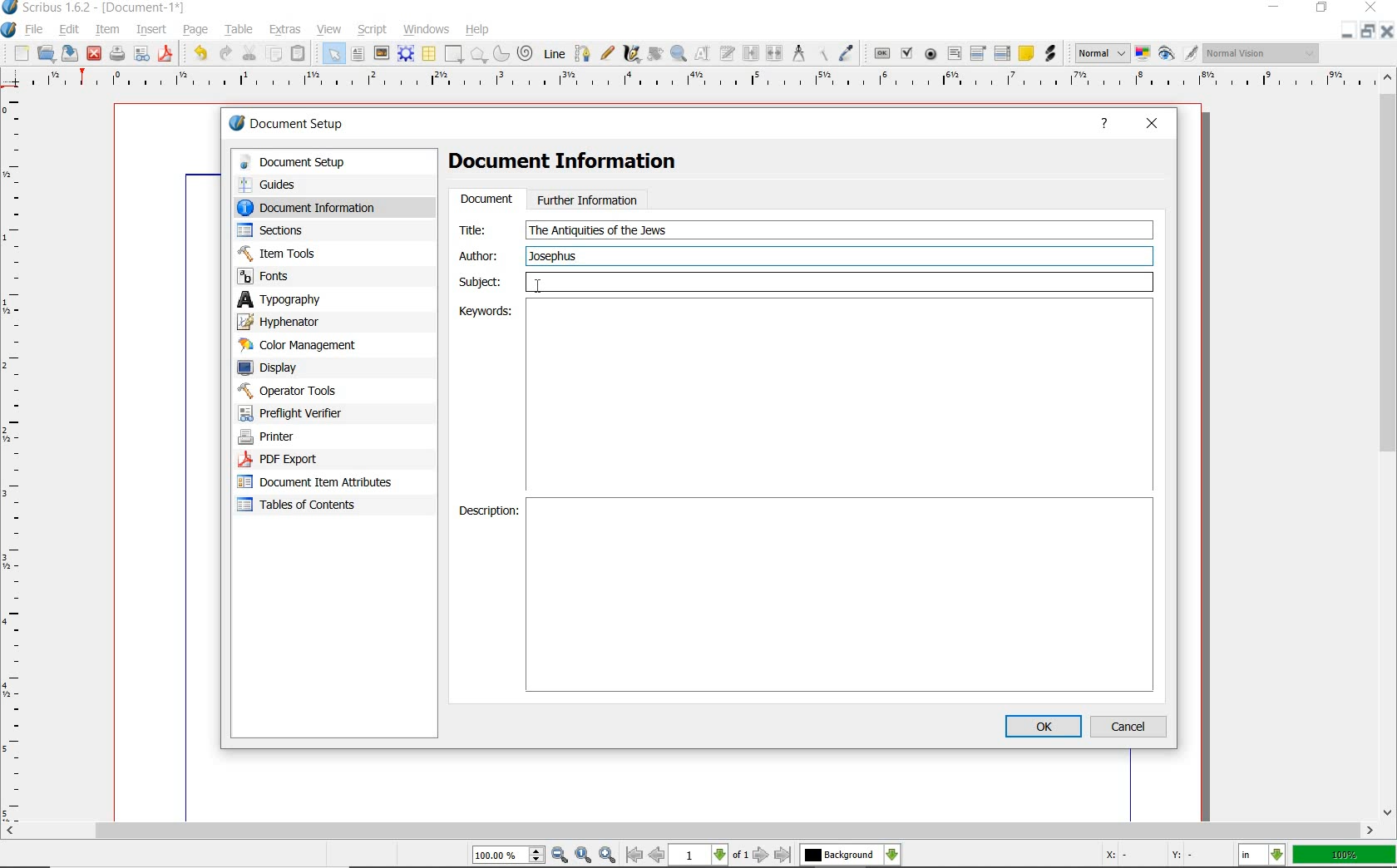 The width and height of the screenshot is (1397, 868). What do you see at coordinates (35, 28) in the screenshot?
I see `file` at bounding box center [35, 28].